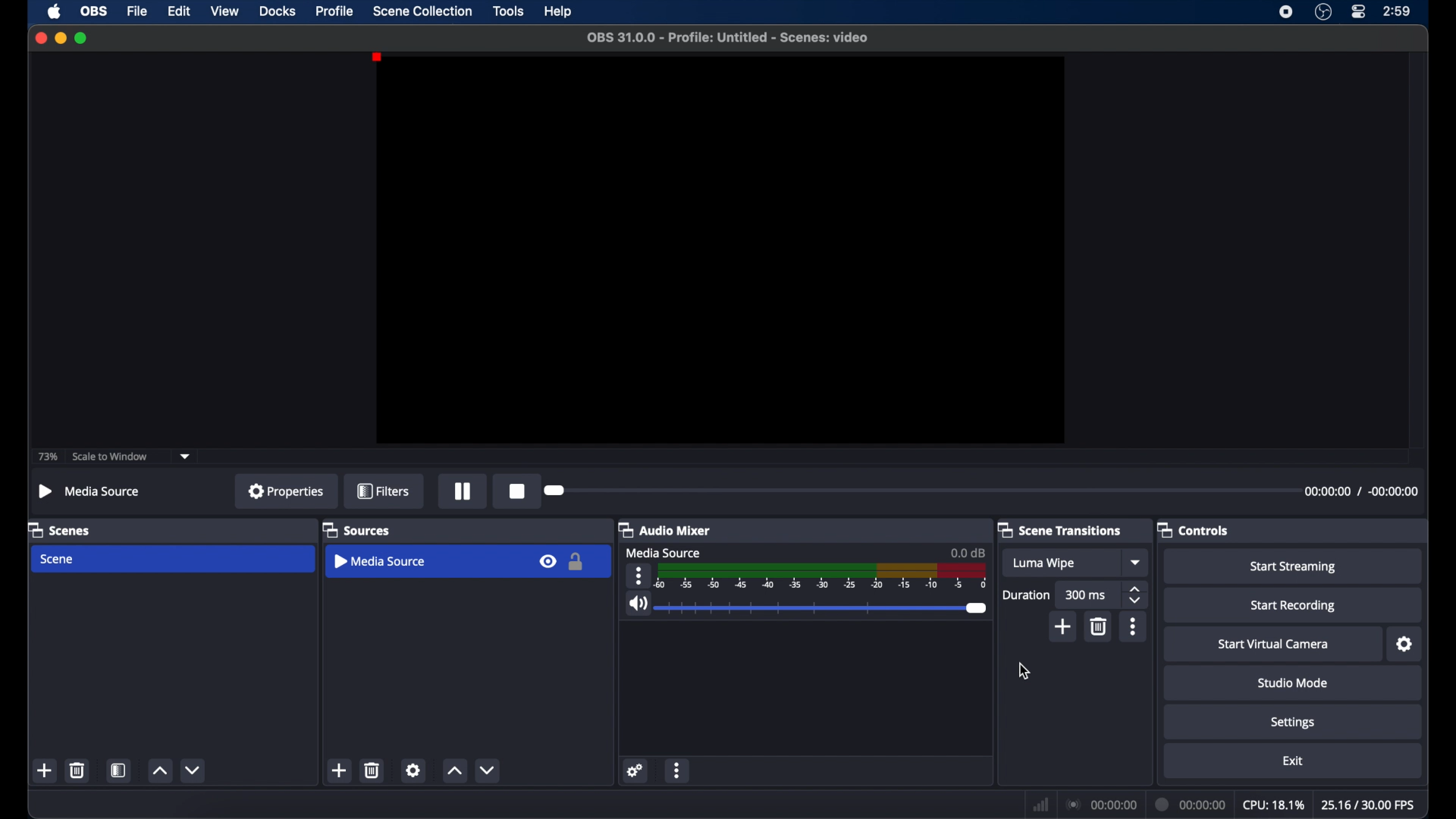 The image size is (1456, 819). What do you see at coordinates (1063, 627) in the screenshot?
I see `add` at bounding box center [1063, 627].